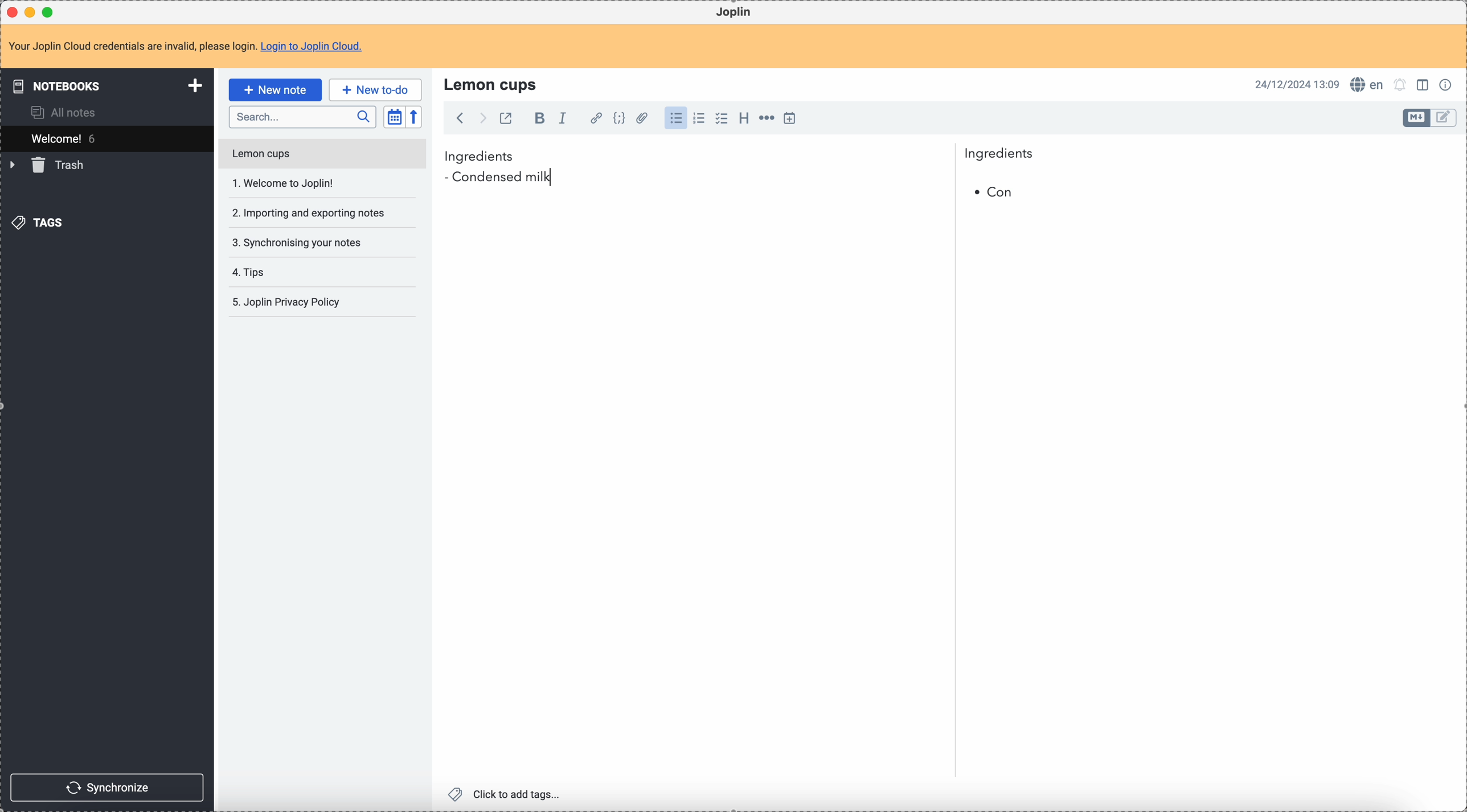 The image size is (1467, 812). Describe the element at coordinates (14, 13) in the screenshot. I see `close` at that location.